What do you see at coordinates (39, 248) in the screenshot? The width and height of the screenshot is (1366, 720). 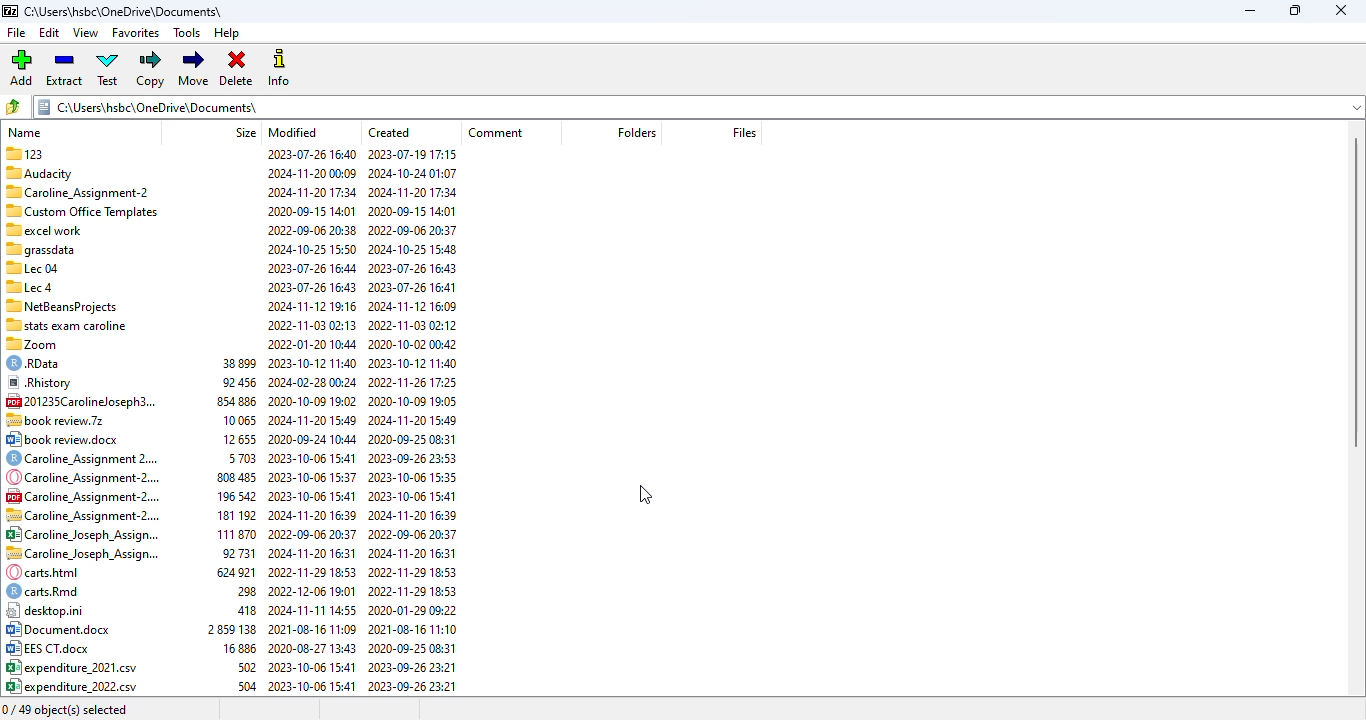 I see `` at bounding box center [39, 248].